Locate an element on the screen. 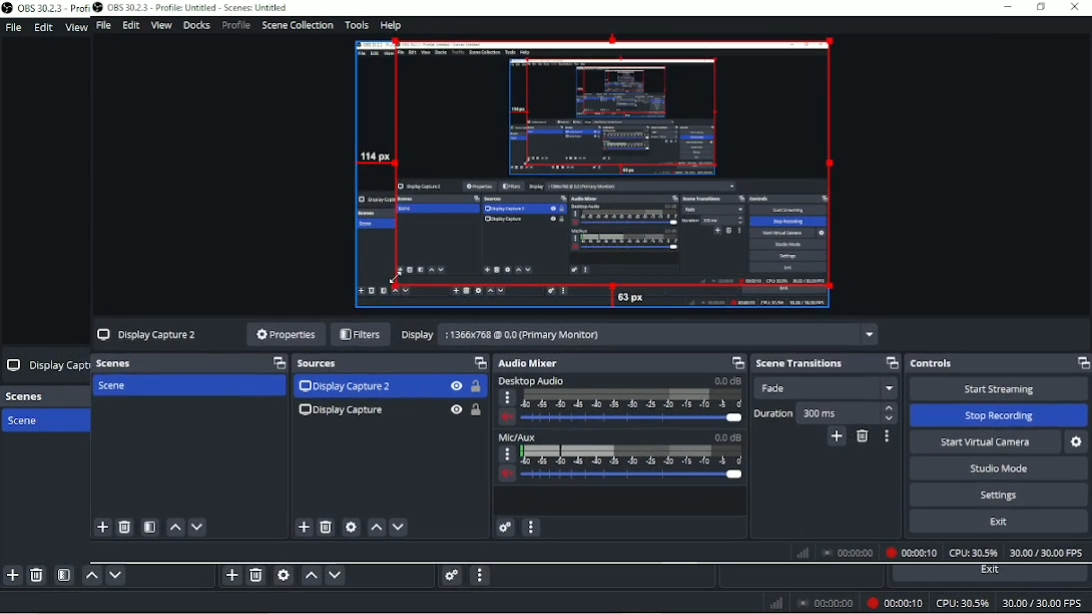 The width and height of the screenshot is (1092, 614). ‘Start Streaming is located at coordinates (1000, 387).